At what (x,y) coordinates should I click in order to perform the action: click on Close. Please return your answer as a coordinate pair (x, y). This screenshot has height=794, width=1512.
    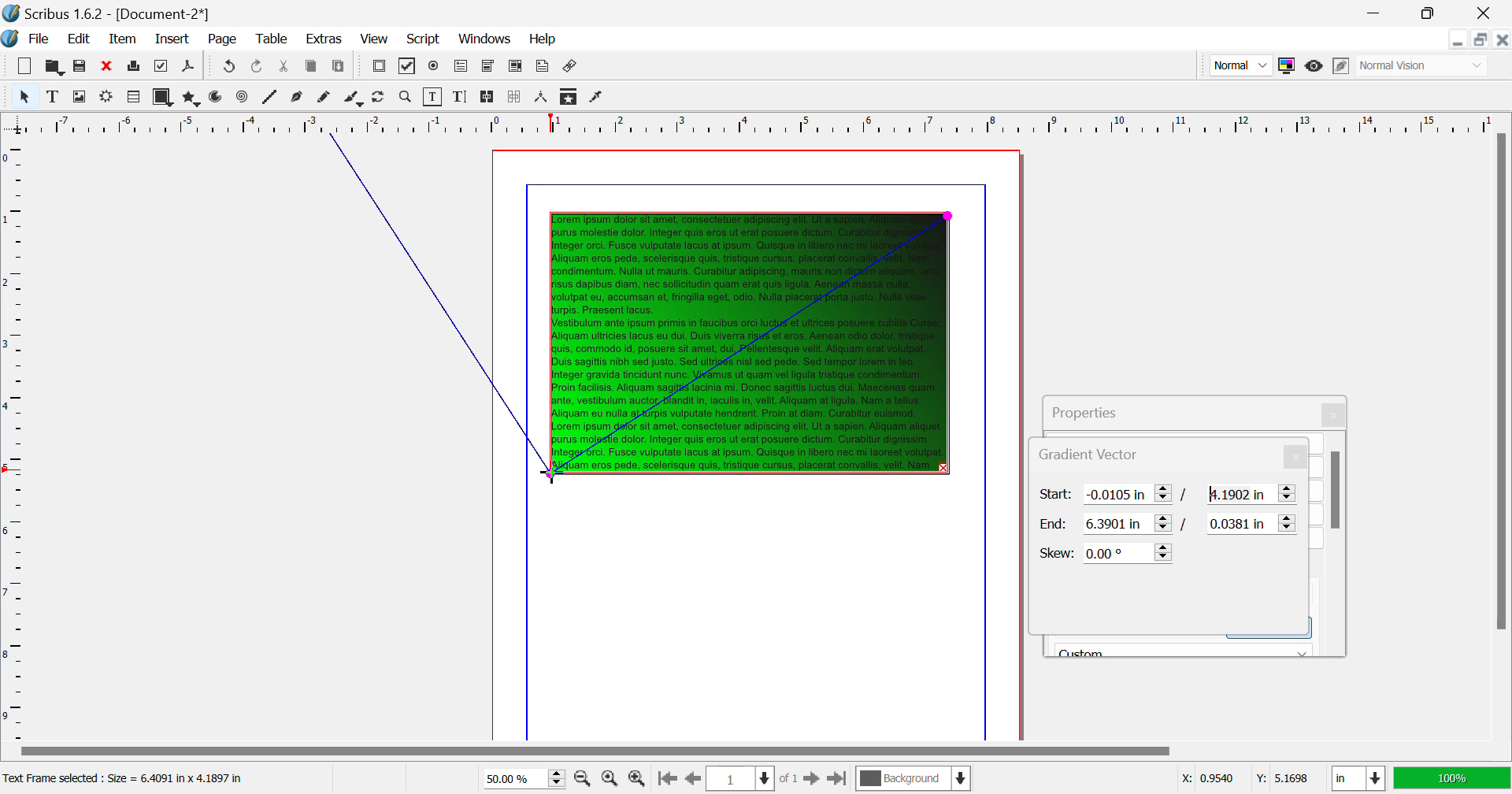
    Looking at the image, I should click on (1503, 39).